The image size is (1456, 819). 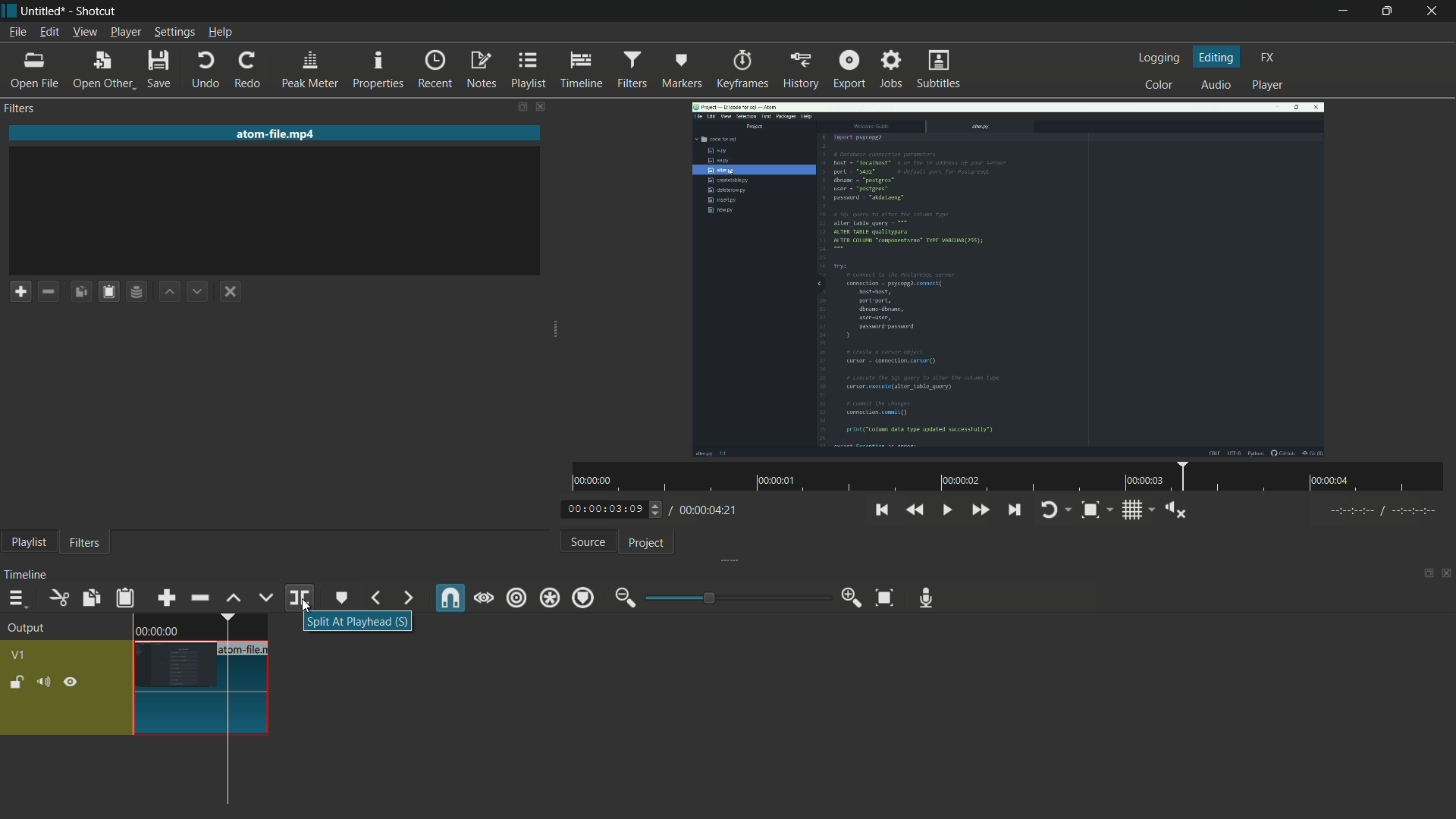 What do you see at coordinates (1447, 574) in the screenshot?
I see `close timeline` at bounding box center [1447, 574].